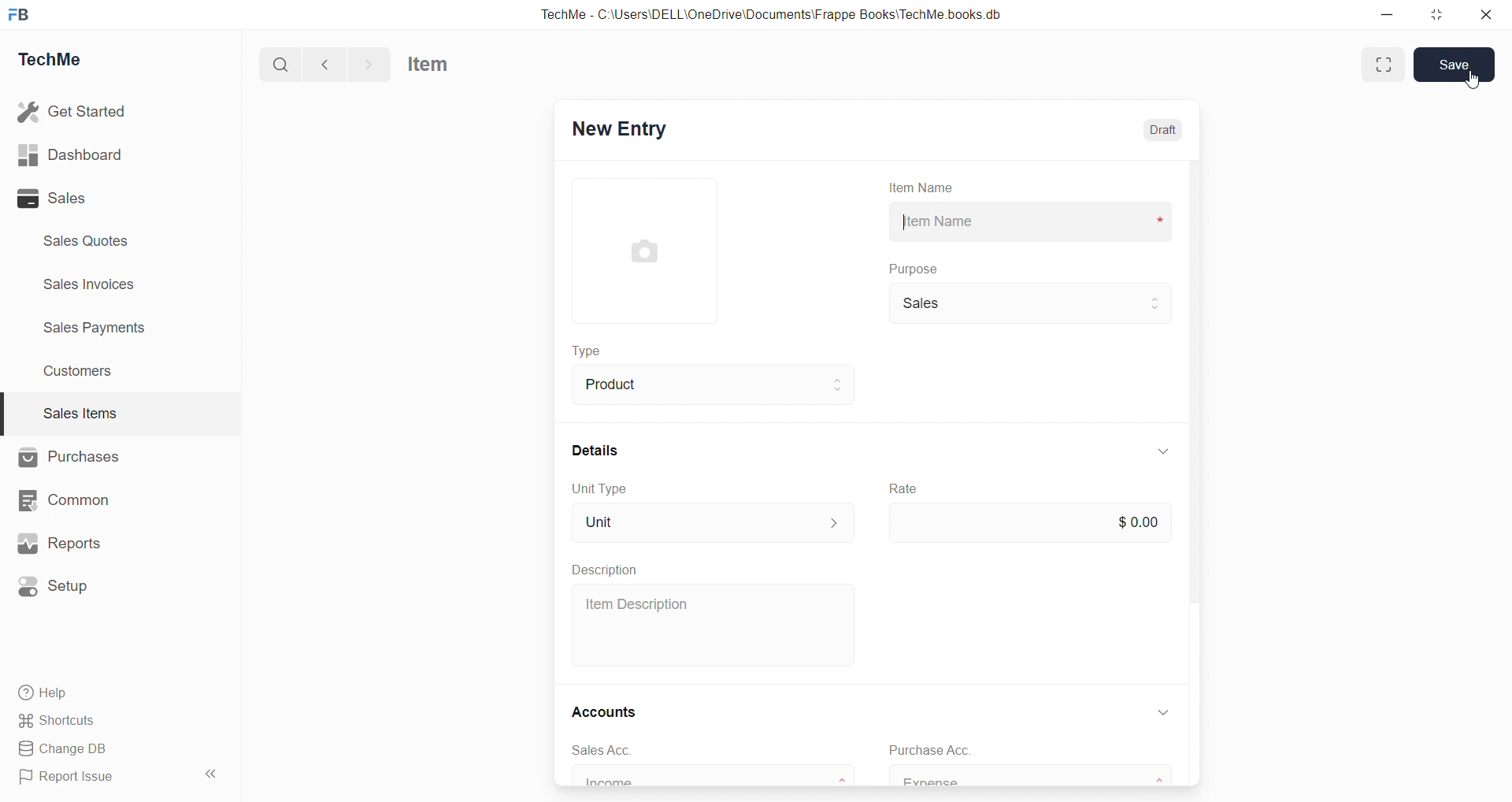  I want to click on Change DB, so click(64, 748).